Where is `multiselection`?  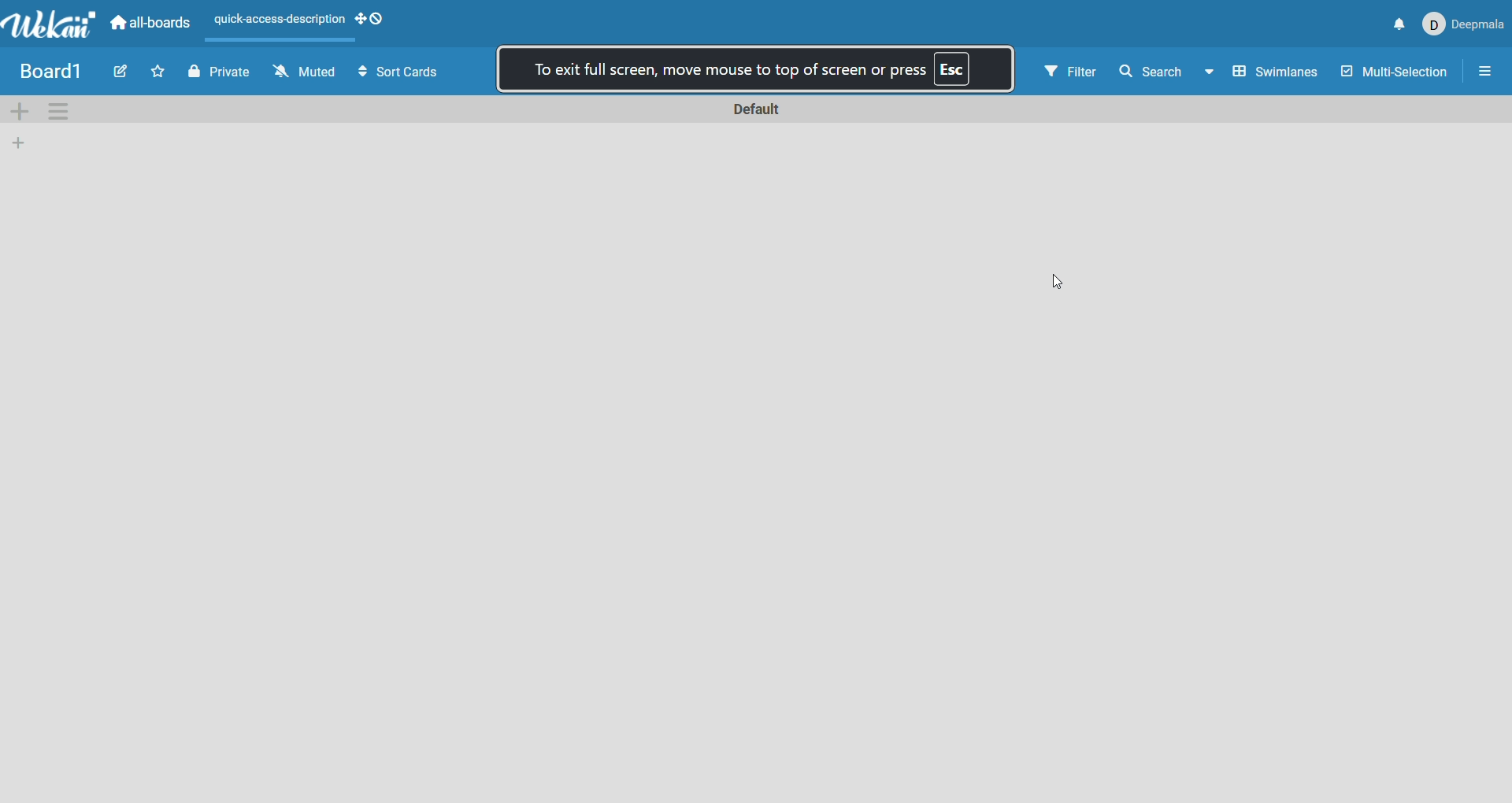
multiselection is located at coordinates (1398, 73).